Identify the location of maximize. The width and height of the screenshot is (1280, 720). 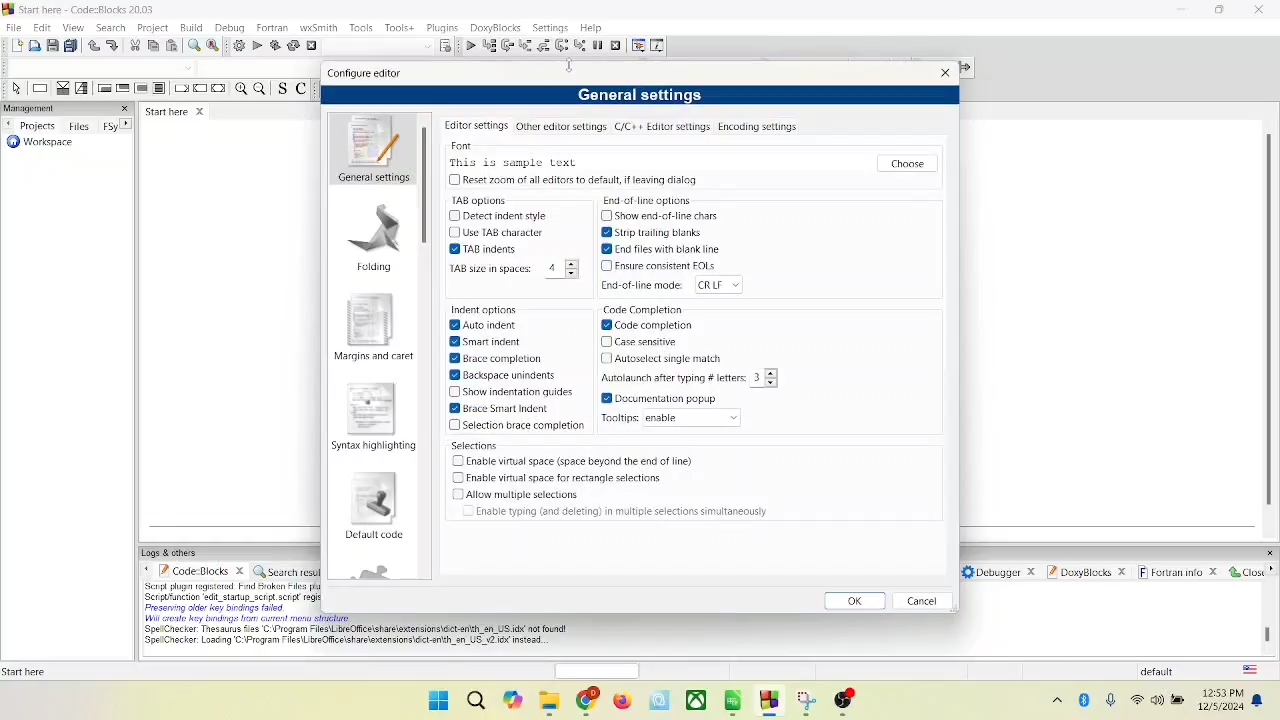
(1223, 12).